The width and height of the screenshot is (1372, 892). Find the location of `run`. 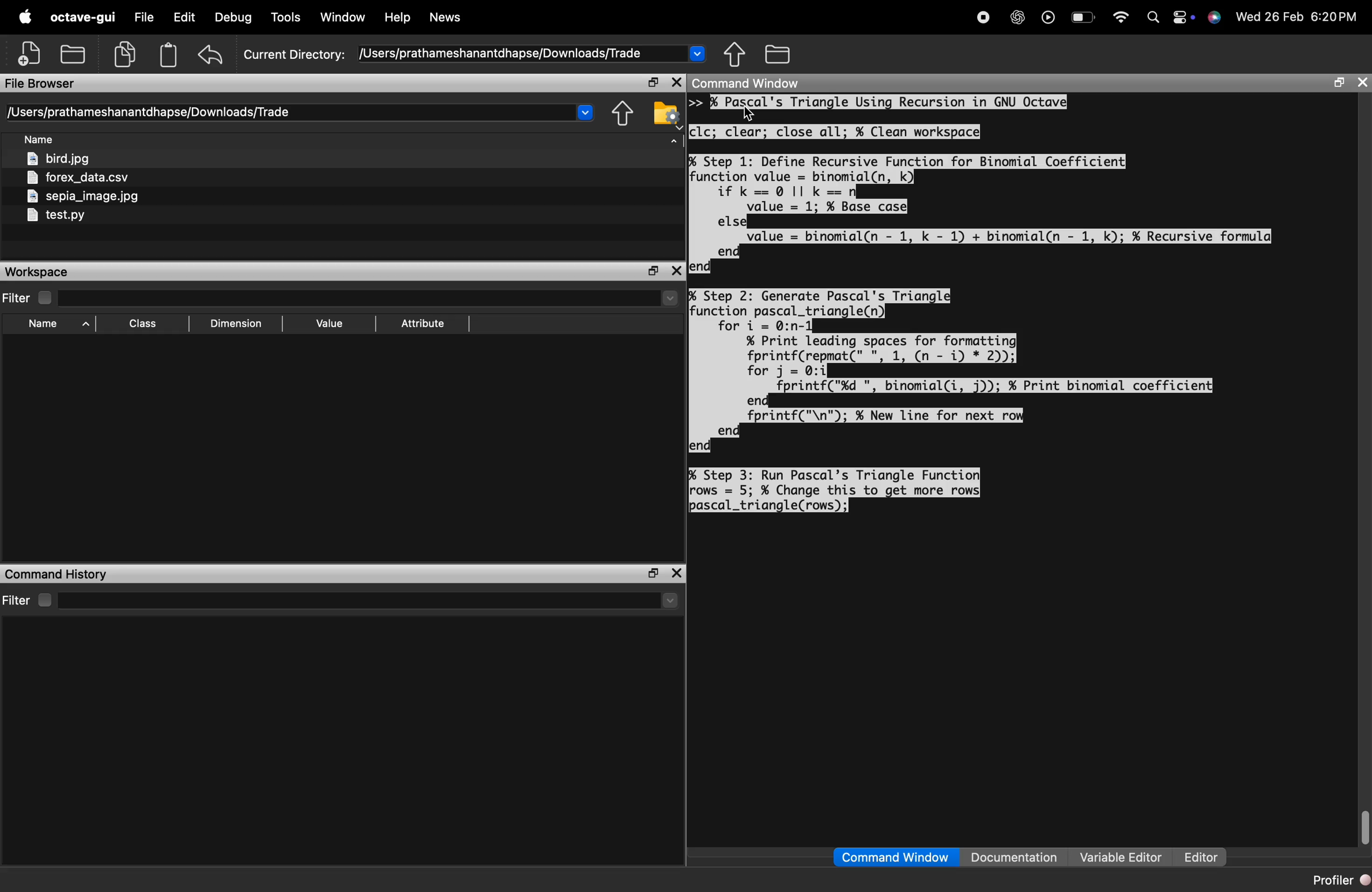

run is located at coordinates (1049, 17).